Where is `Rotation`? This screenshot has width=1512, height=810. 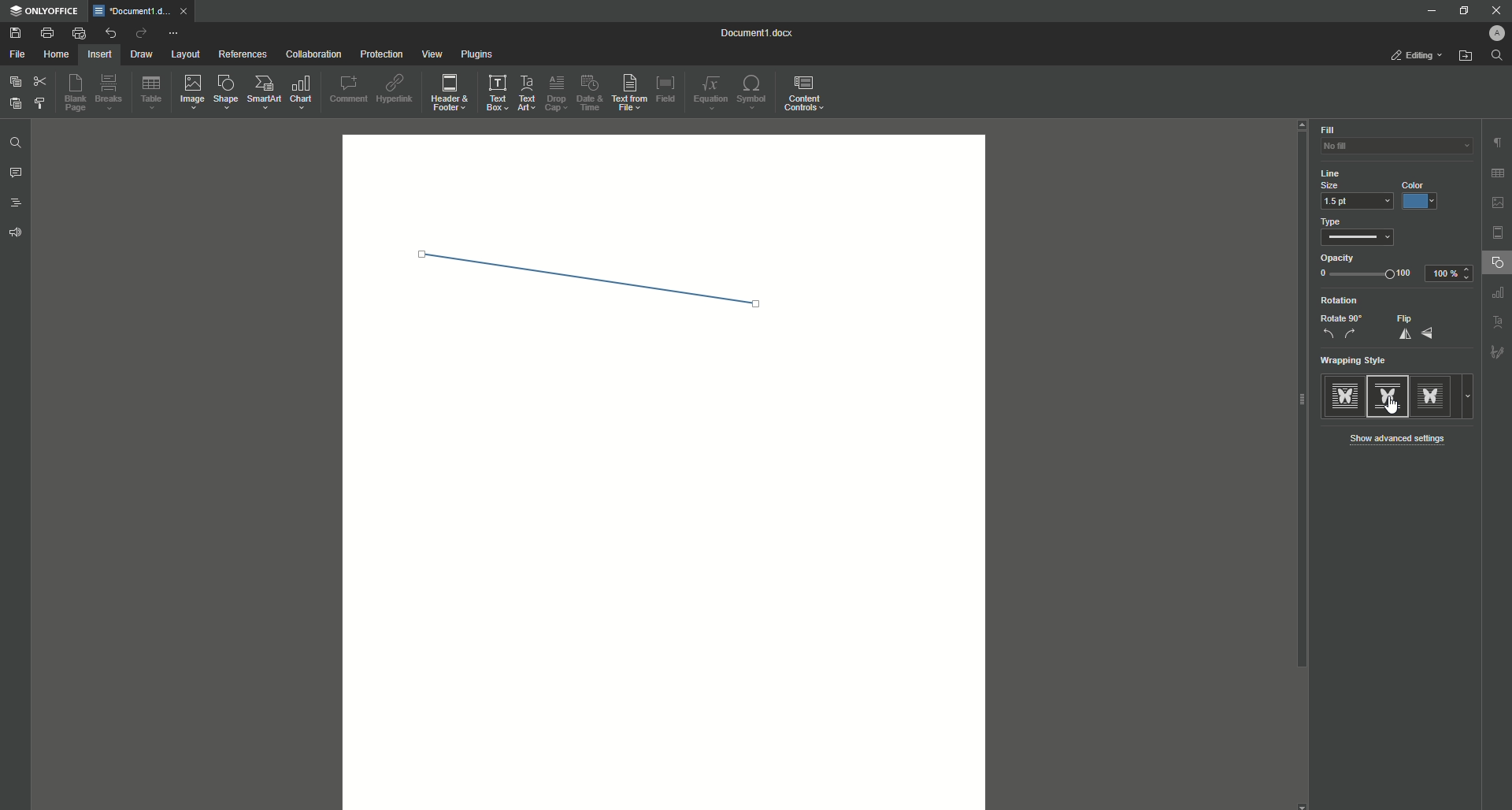
Rotation is located at coordinates (1337, 300).